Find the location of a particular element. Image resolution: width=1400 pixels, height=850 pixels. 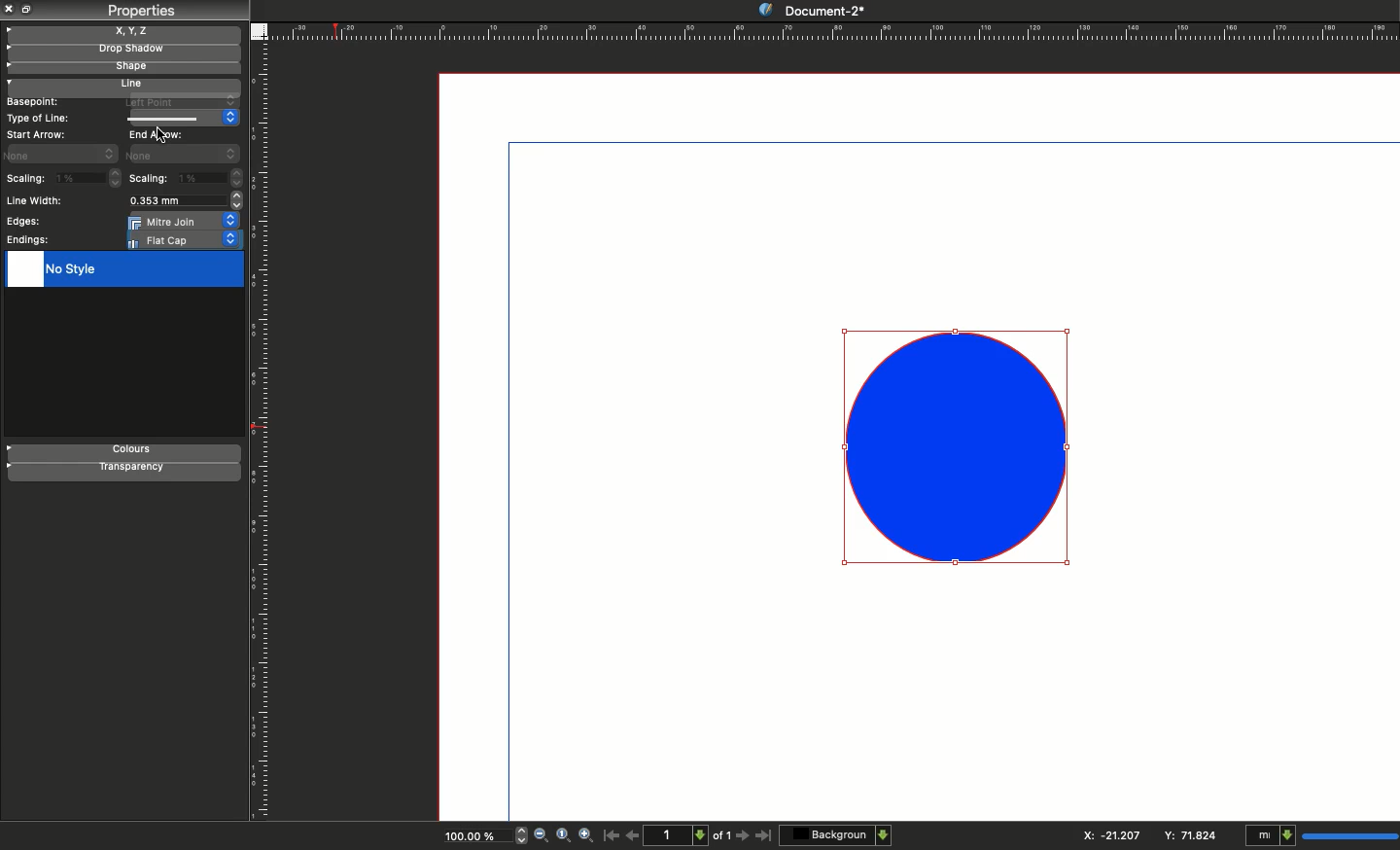

Last page is located at coordinates (764, 836).